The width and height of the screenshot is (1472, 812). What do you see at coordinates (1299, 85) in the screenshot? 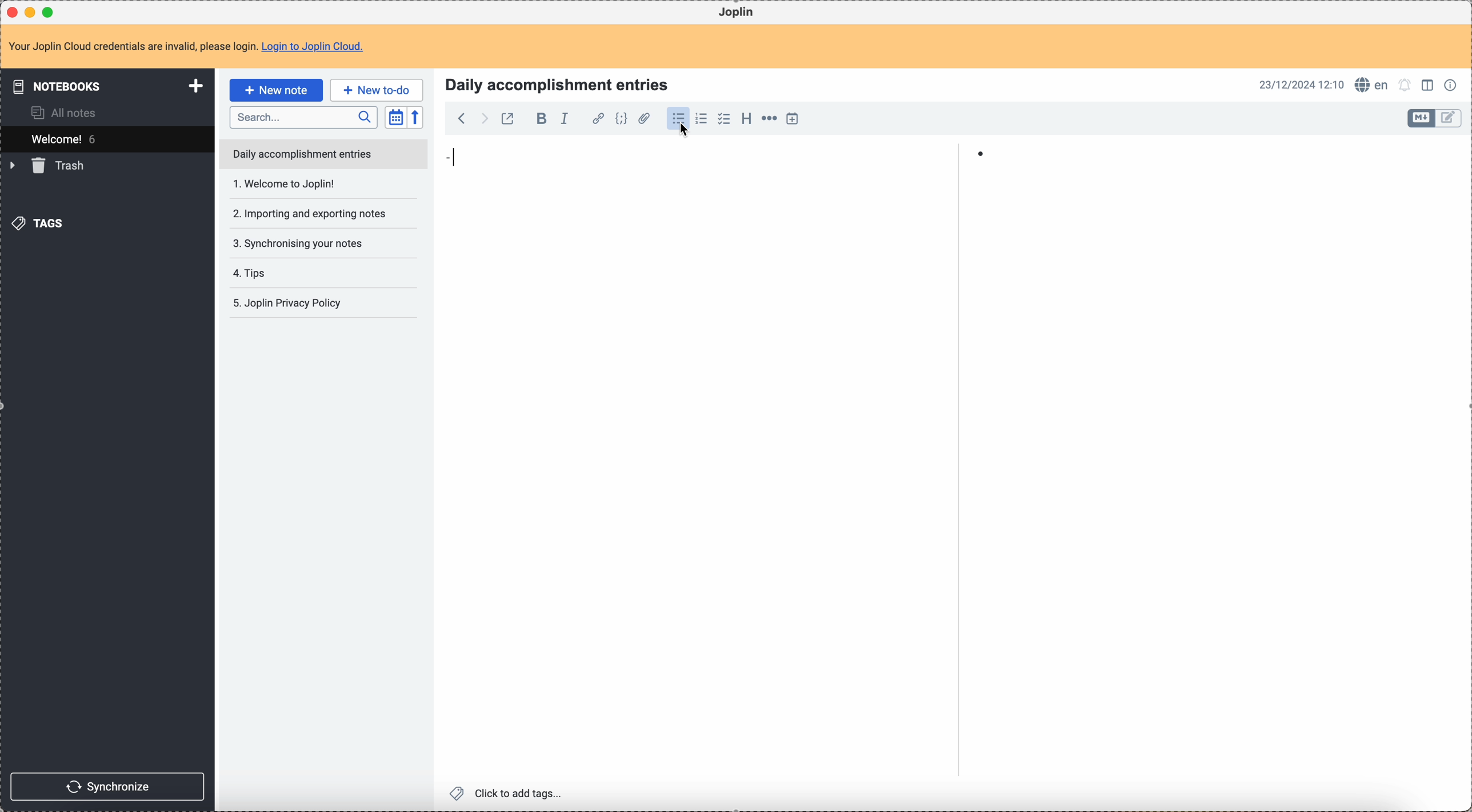
I see `date and hour` at bounding box center [1299, 85].